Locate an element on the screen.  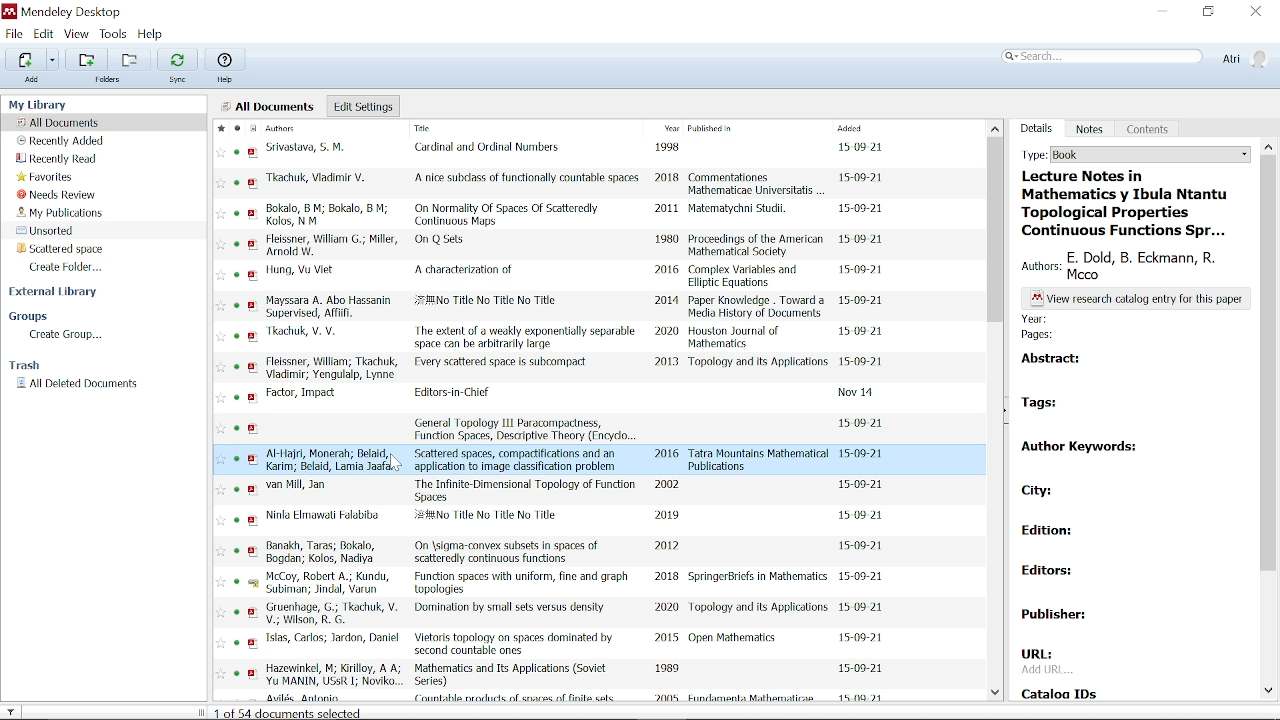
2018 is located at coordinates (667, 180).